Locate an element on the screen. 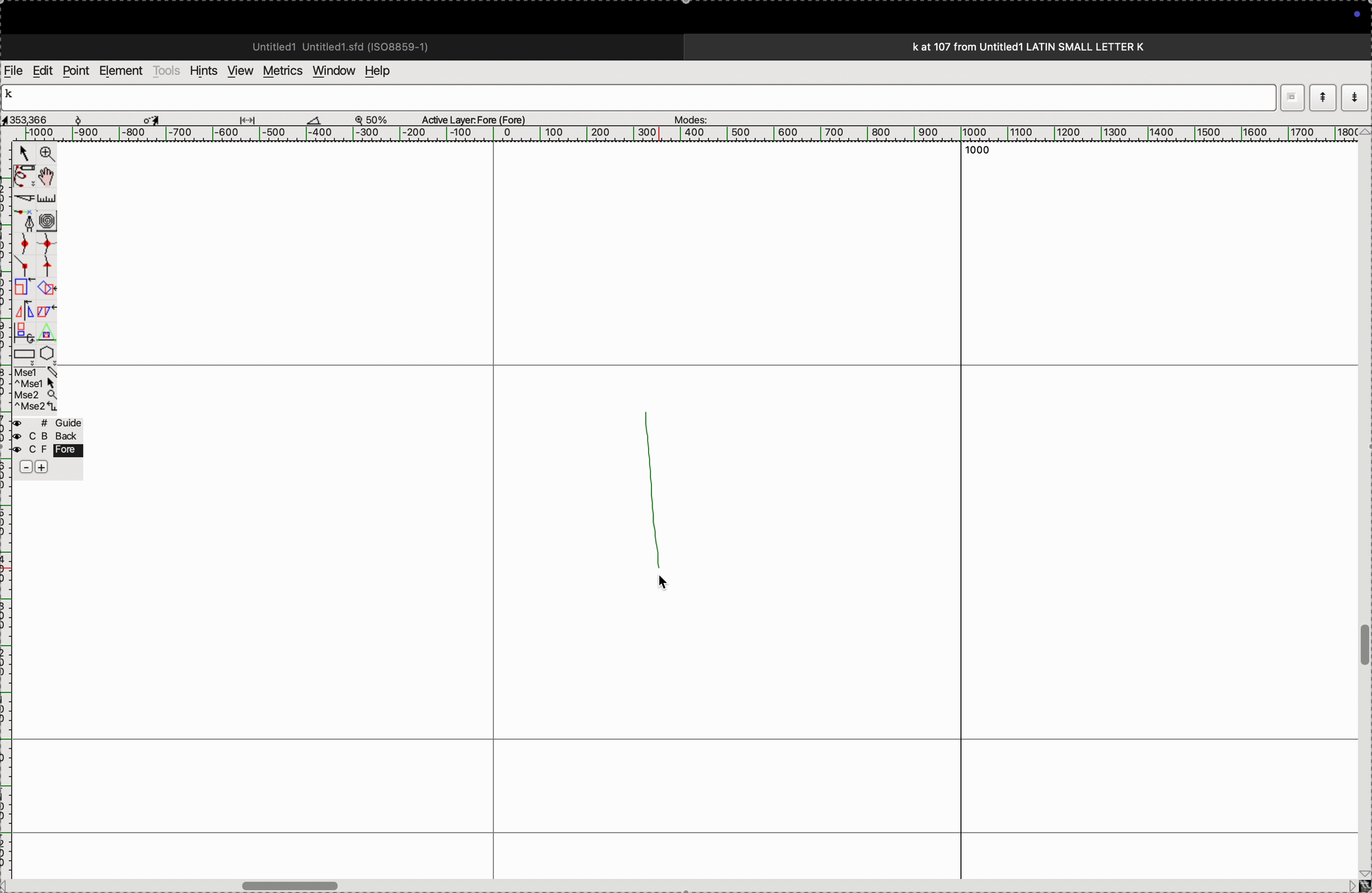 The height and width of the screenshot is (893, 1372). Guide is located at coordinates (50, 446).